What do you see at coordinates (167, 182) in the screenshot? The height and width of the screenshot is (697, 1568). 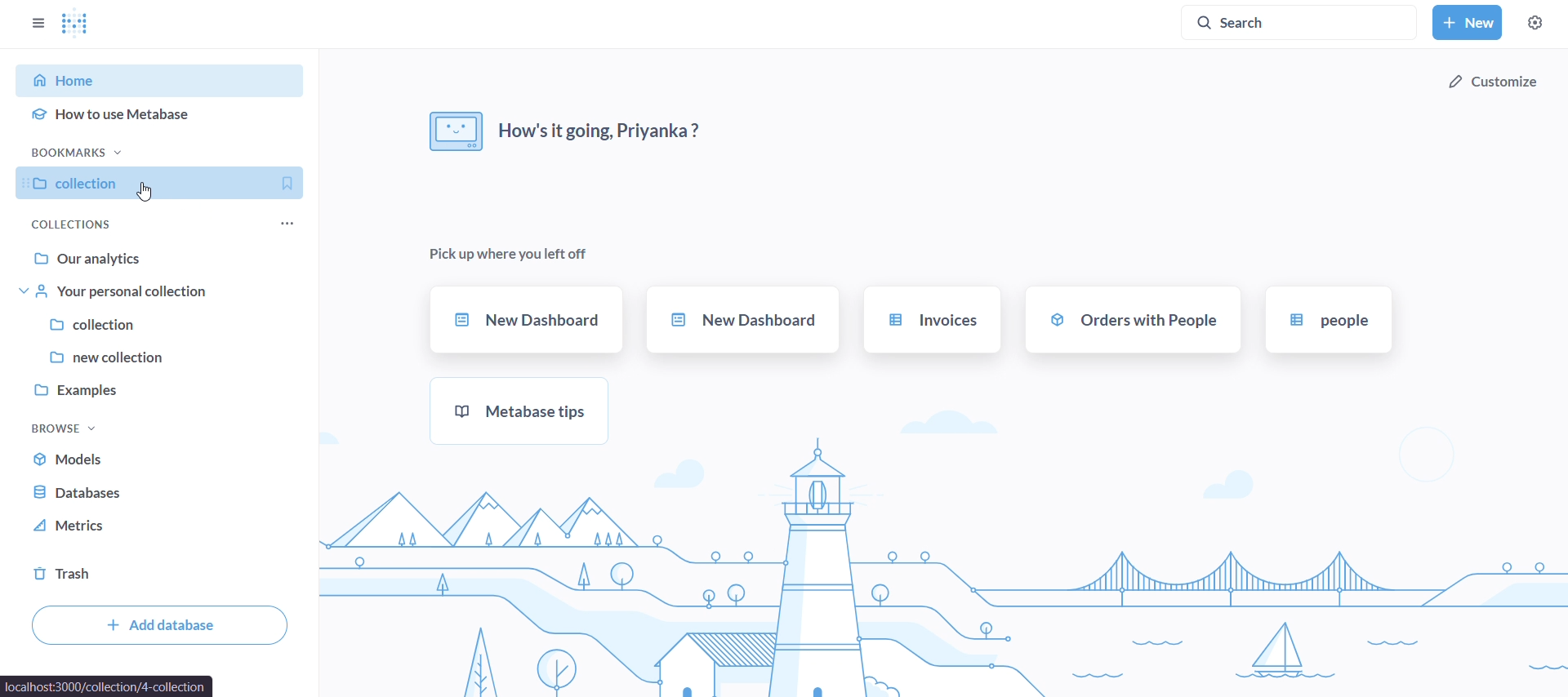 I see `collection` at bounding box center [167, 182].